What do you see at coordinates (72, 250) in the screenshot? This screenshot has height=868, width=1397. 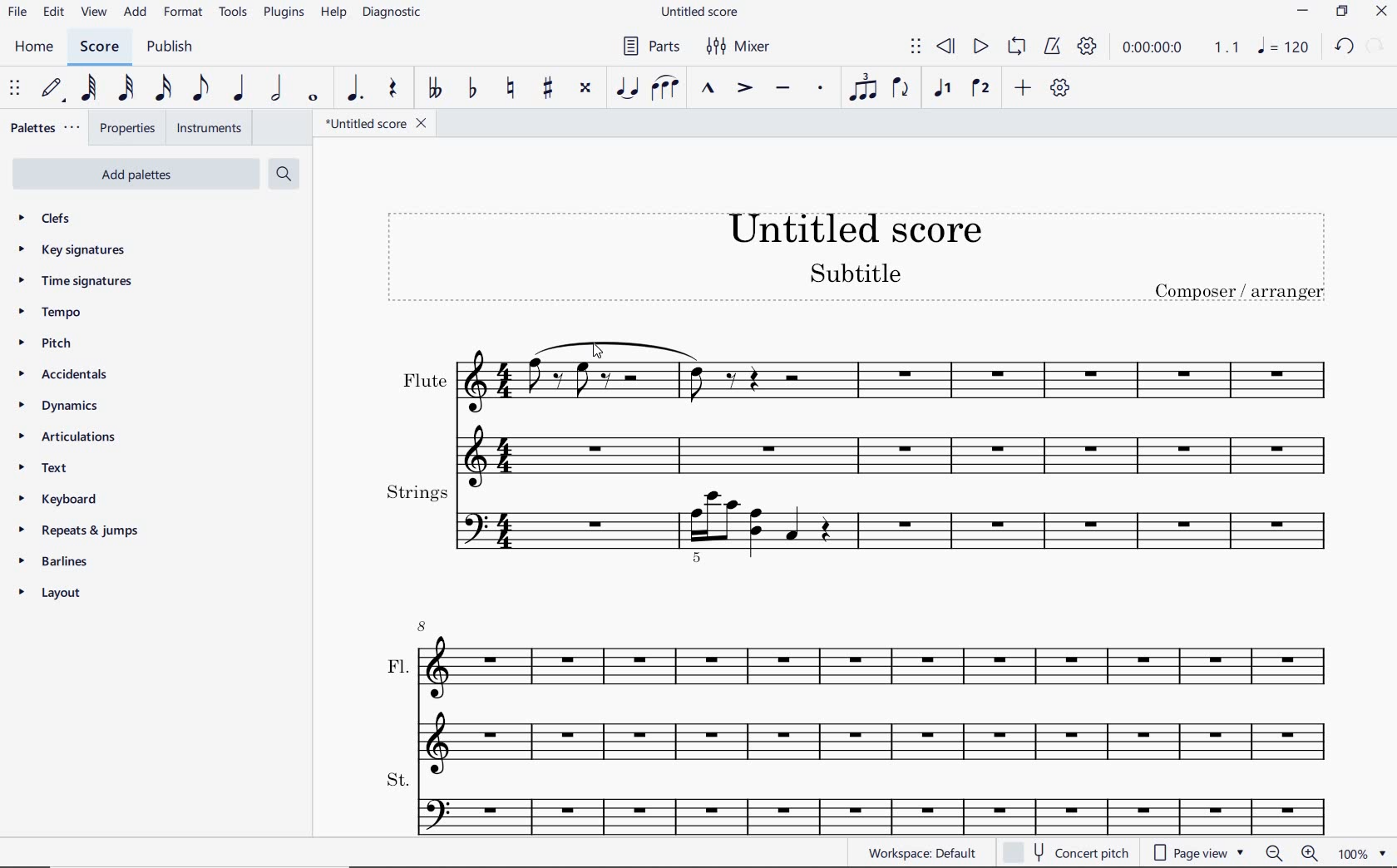 I see `key signatures` at bounding box center [72, 250].